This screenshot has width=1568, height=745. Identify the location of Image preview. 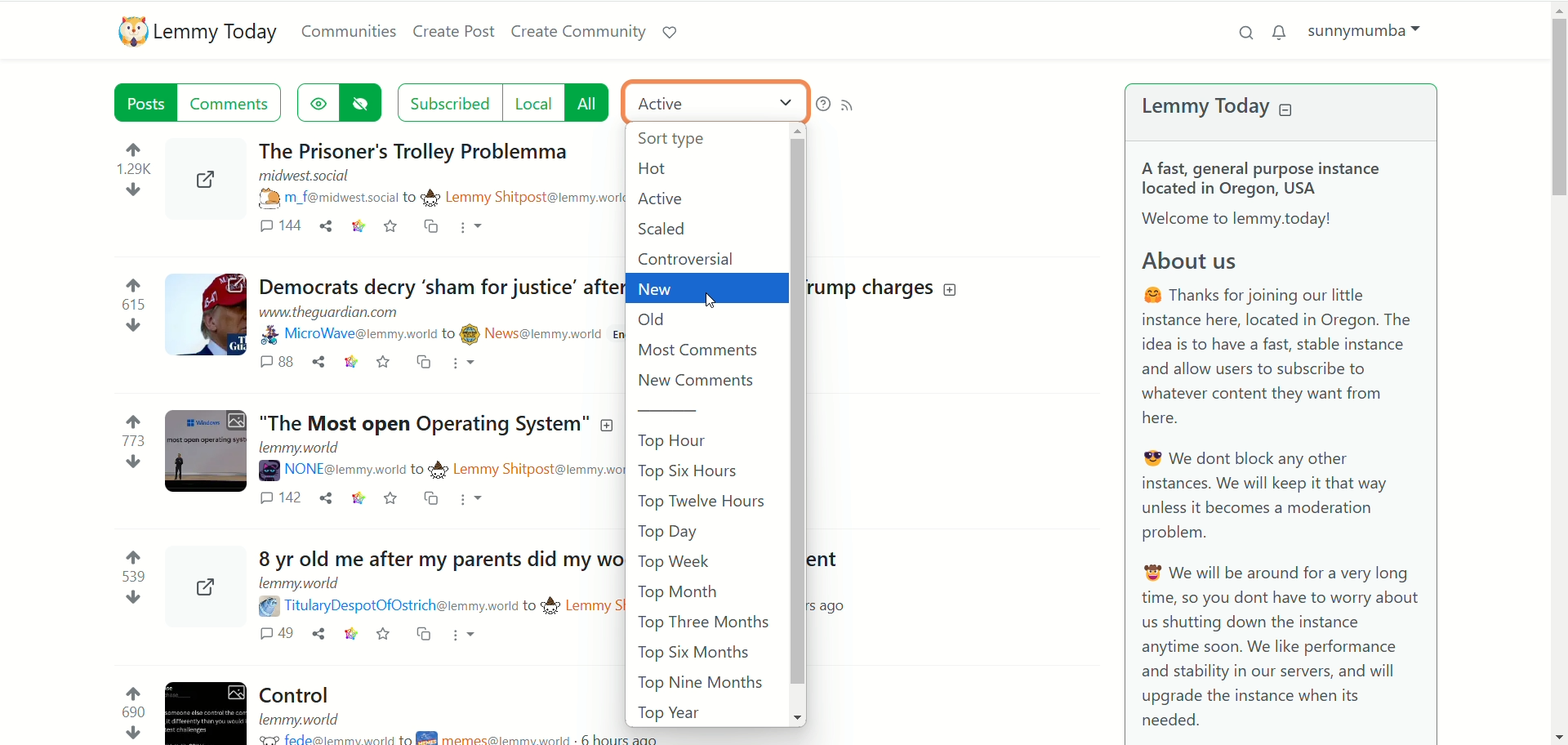
(205, 706).